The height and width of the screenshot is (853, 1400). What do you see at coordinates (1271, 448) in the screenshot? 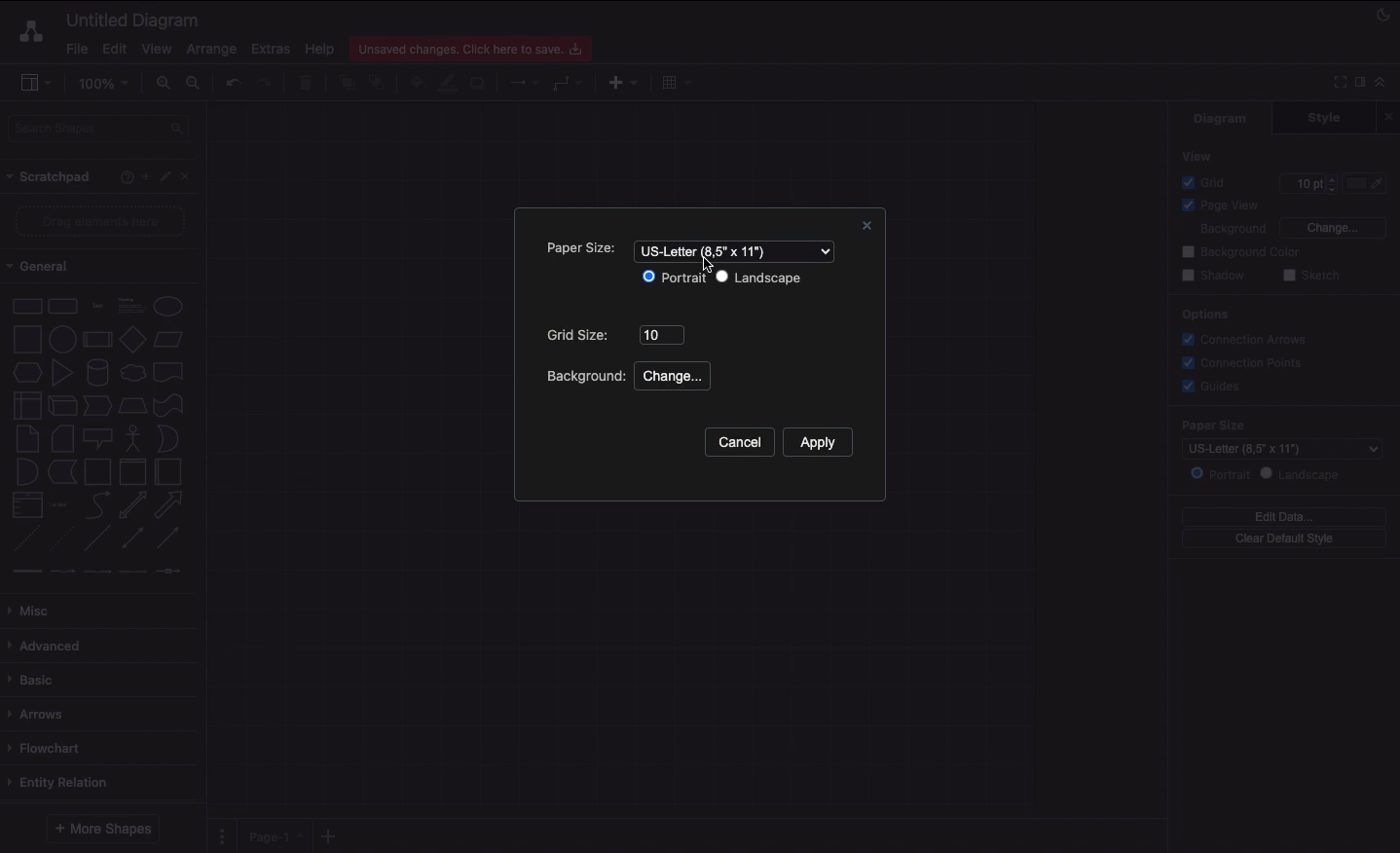
I see `US-Letter (8.5" x 11')` at bounding box center [1271, 448].